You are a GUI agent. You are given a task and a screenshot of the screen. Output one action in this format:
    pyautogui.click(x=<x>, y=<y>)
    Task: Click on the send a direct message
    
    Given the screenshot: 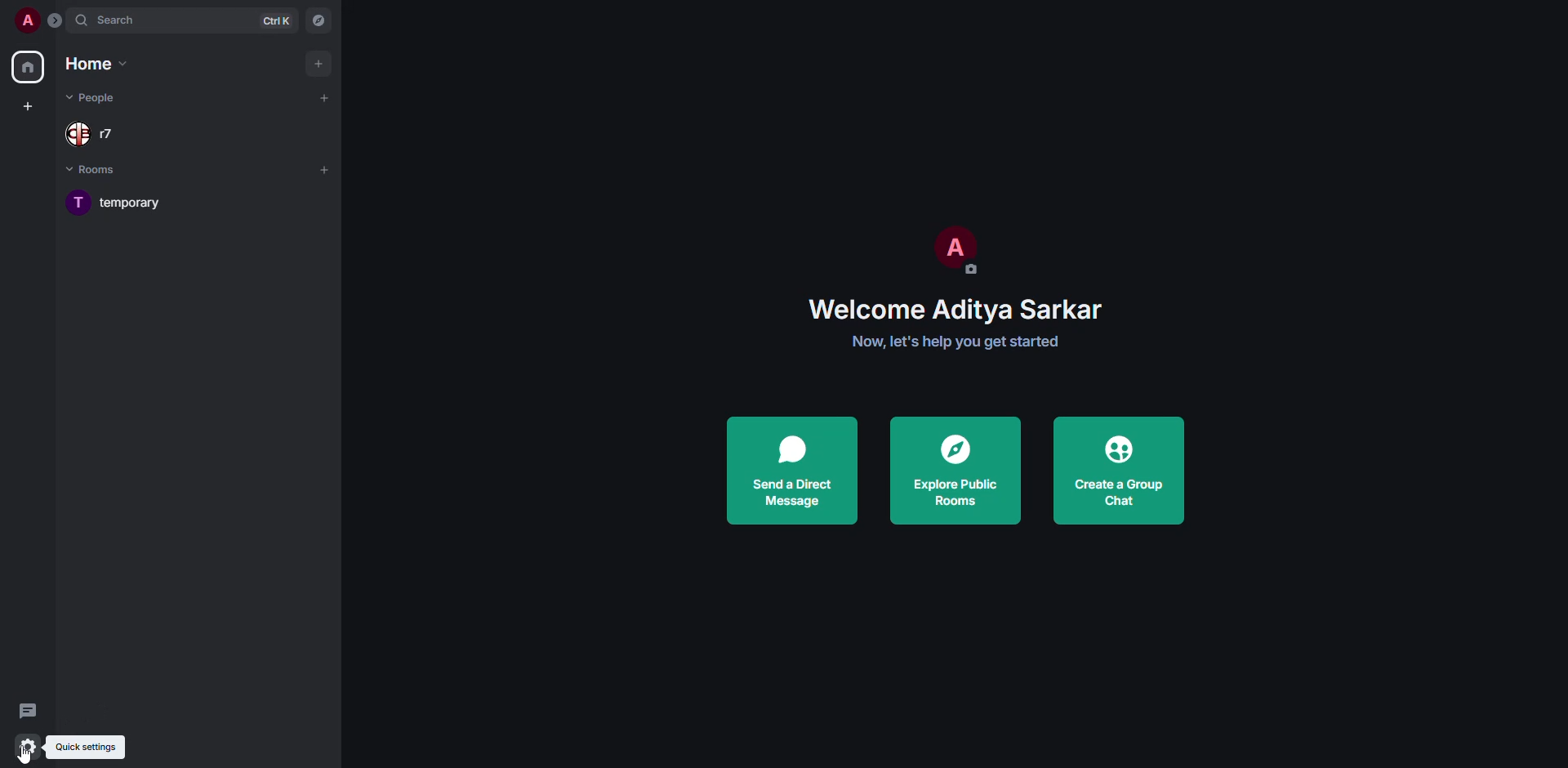 What is the action you would take?
    pyautogui.click(x=790, y=471)
    